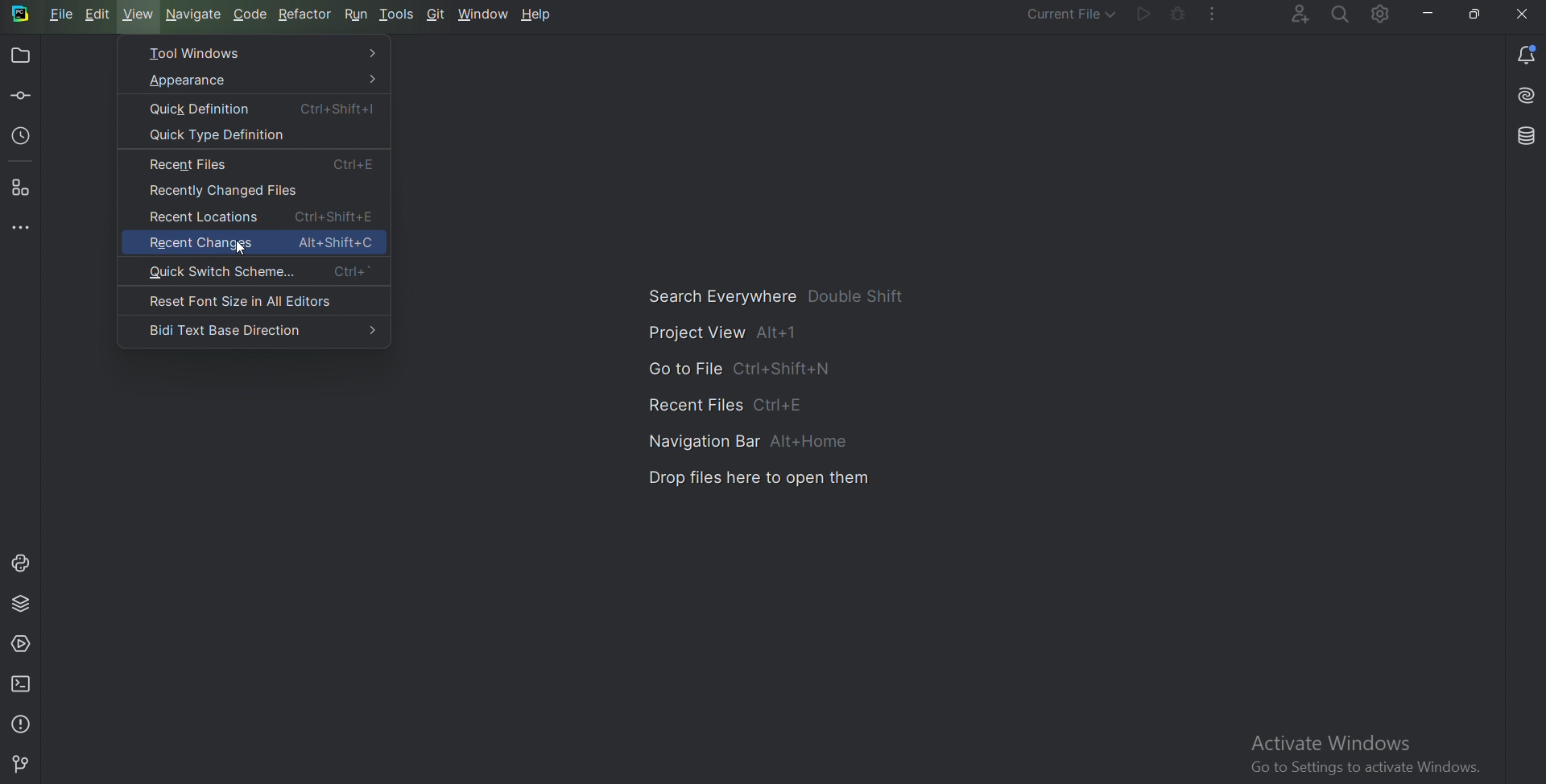 This screenshot has width=1546, height=784. What do you see at coordinates (253, 108) in the screenshot?
I see `Quick definition` at bounding box center [253, 108].